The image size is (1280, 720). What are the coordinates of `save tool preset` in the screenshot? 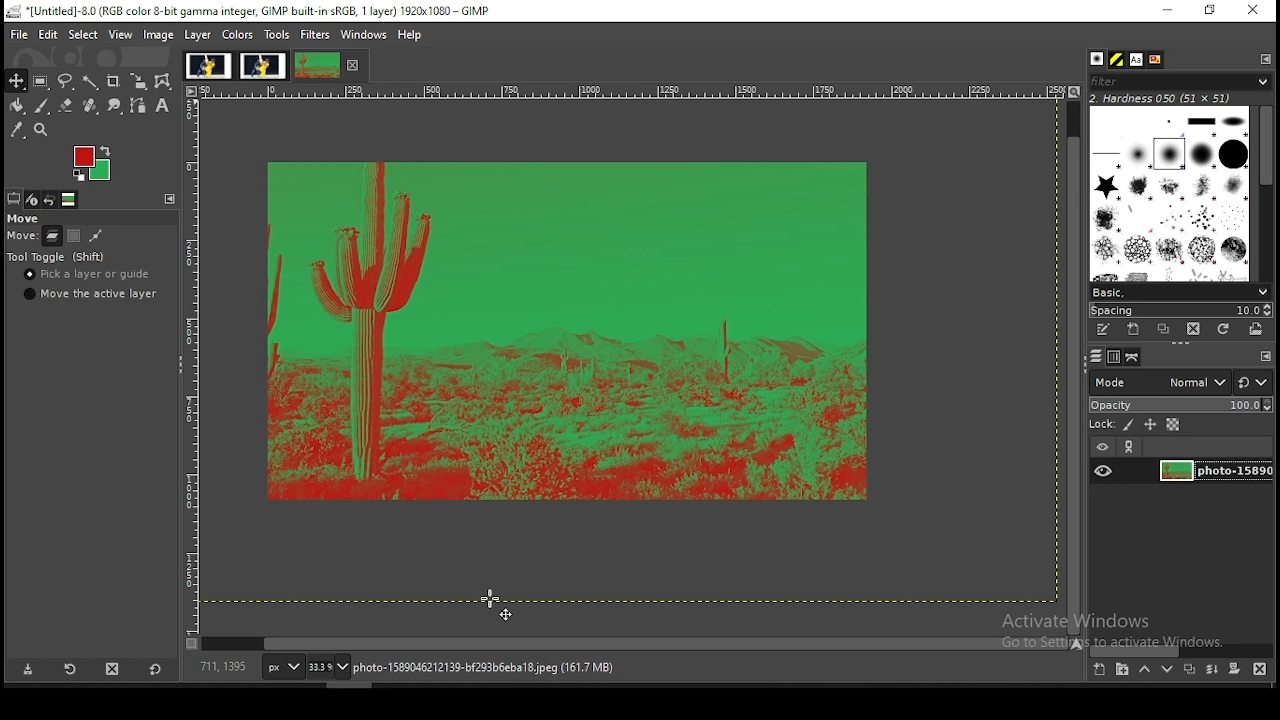 It's located at (26, 670).